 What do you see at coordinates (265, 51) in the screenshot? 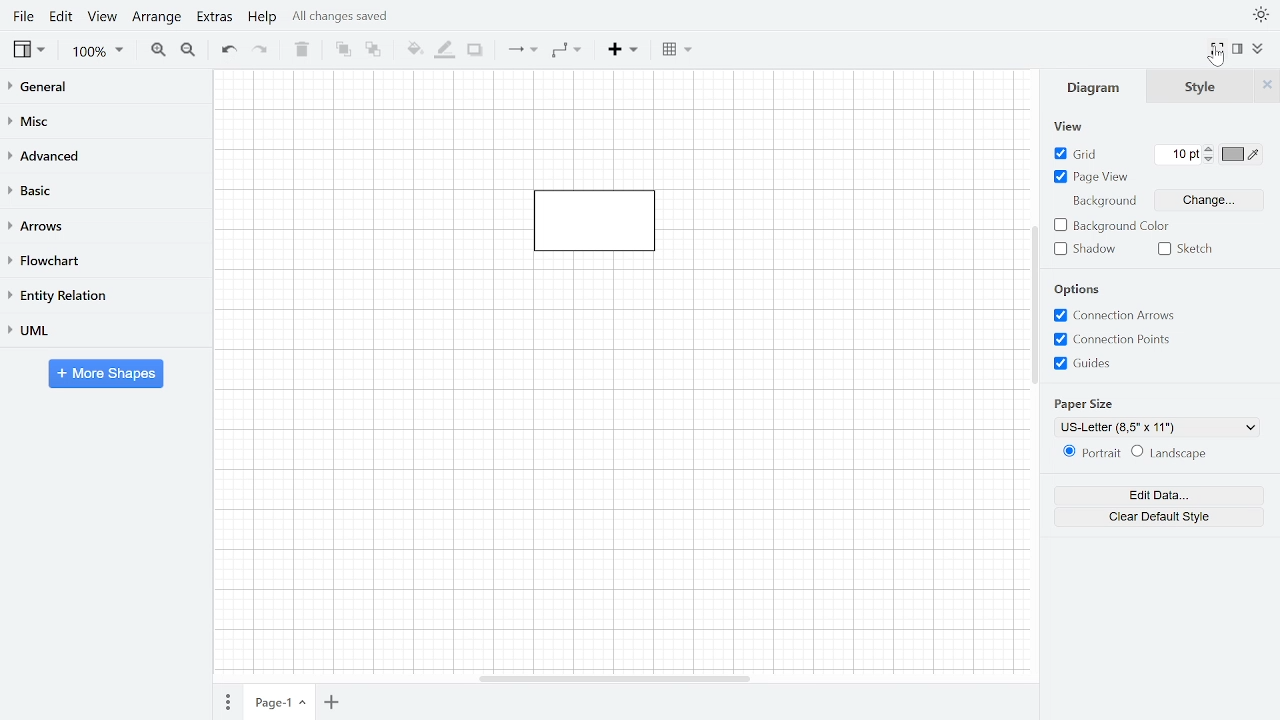
I see `Redo` at bounding box center [265, 51].